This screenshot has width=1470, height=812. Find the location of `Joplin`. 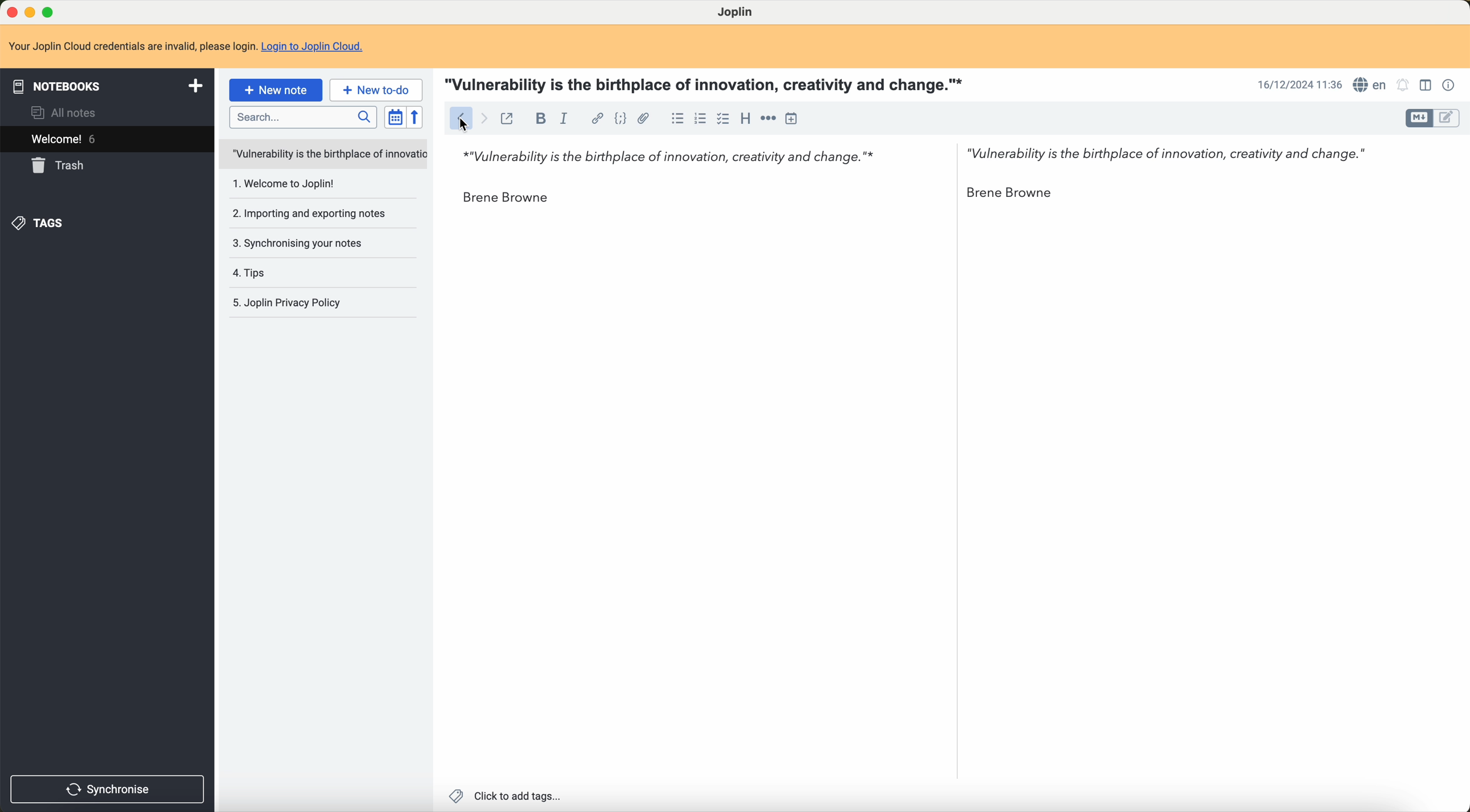

Joplin is located at coordinates (737, 13).